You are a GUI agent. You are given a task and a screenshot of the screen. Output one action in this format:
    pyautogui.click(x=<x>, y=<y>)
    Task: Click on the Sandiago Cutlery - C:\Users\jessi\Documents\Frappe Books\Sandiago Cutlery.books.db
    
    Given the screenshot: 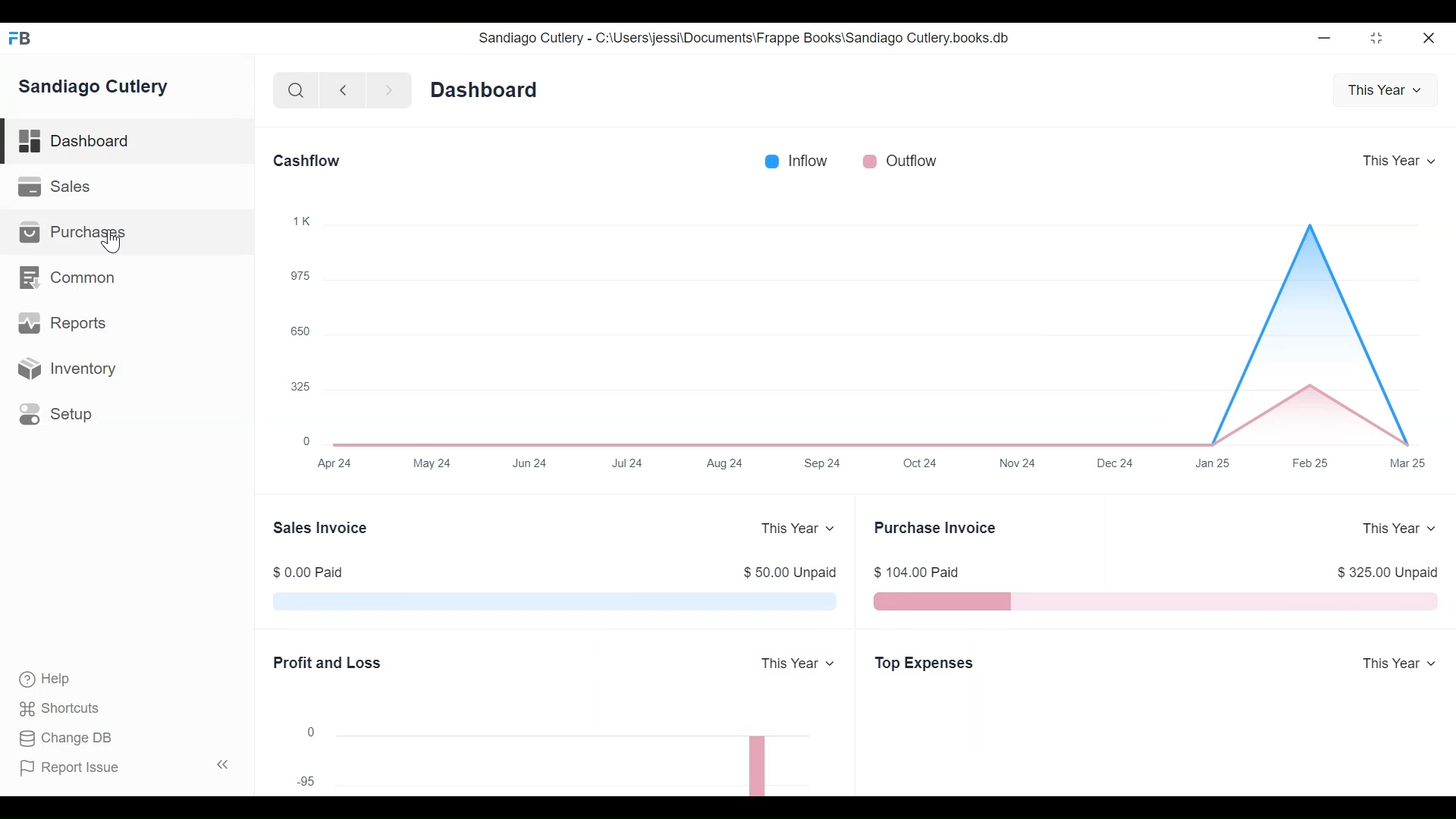 What is the action you would take?
    pyautogui.click(x=758, y=39)
    